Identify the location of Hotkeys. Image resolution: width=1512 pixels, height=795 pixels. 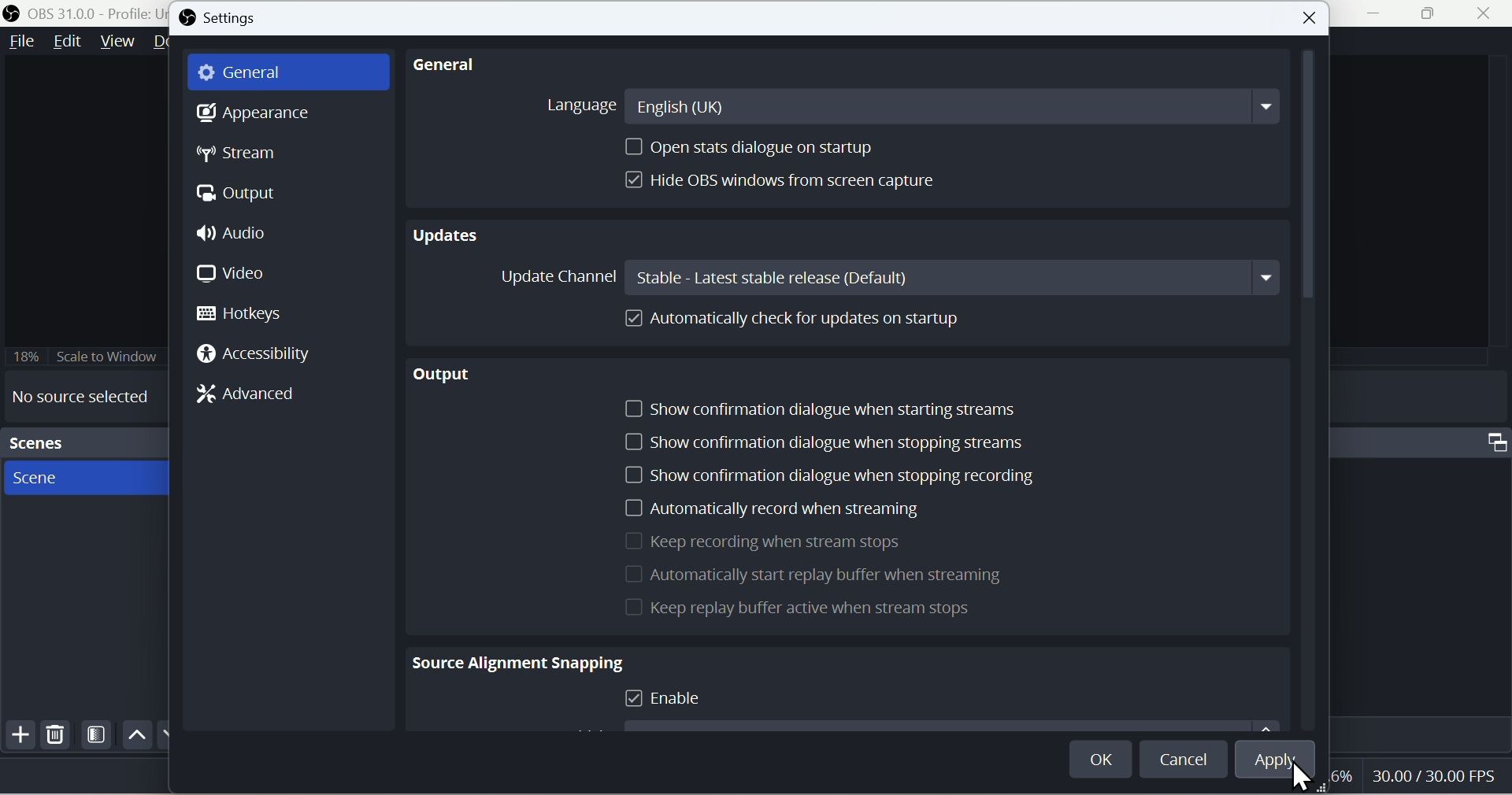
(250, 316).